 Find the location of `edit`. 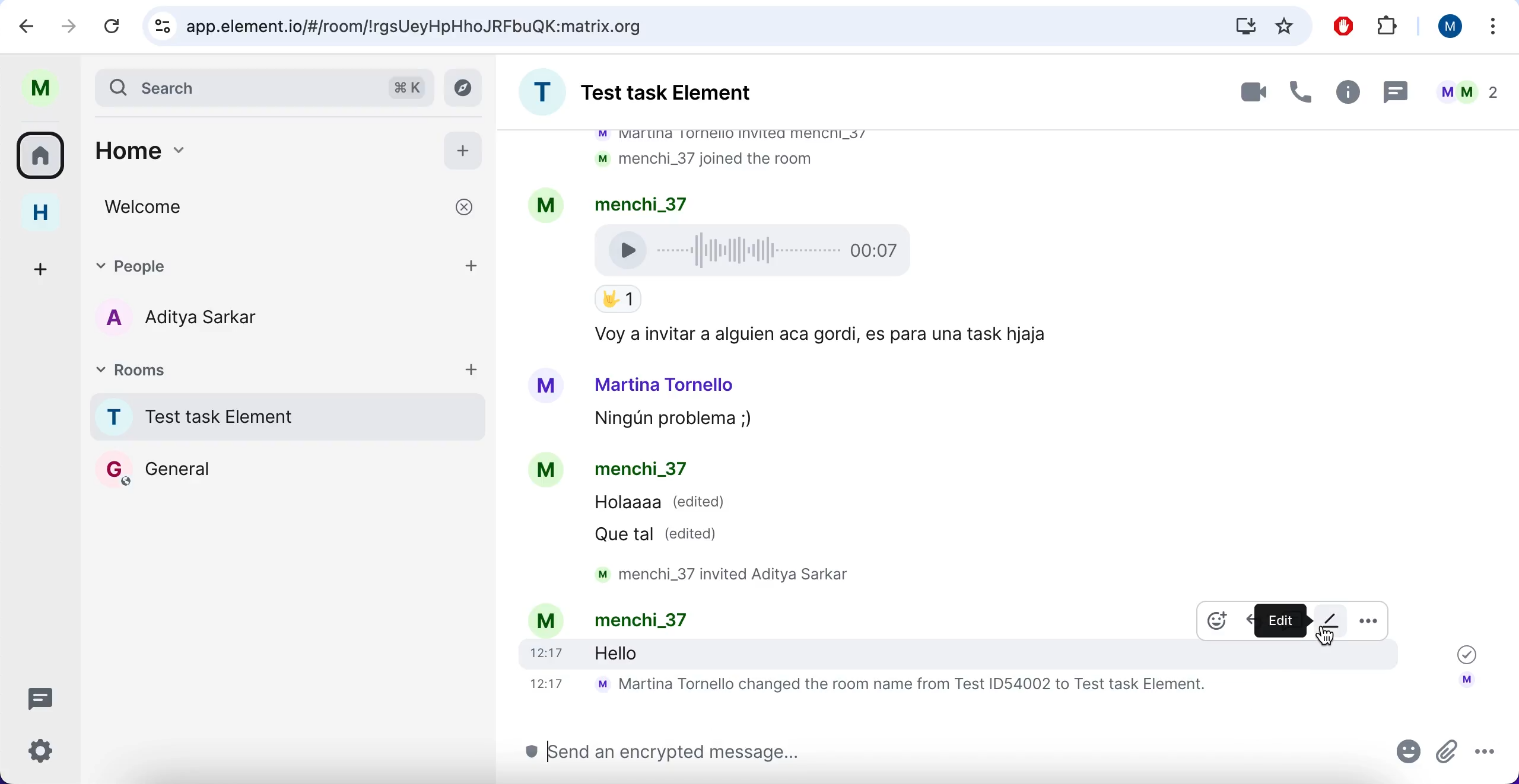

edit is located at coordinates (1332, 619).